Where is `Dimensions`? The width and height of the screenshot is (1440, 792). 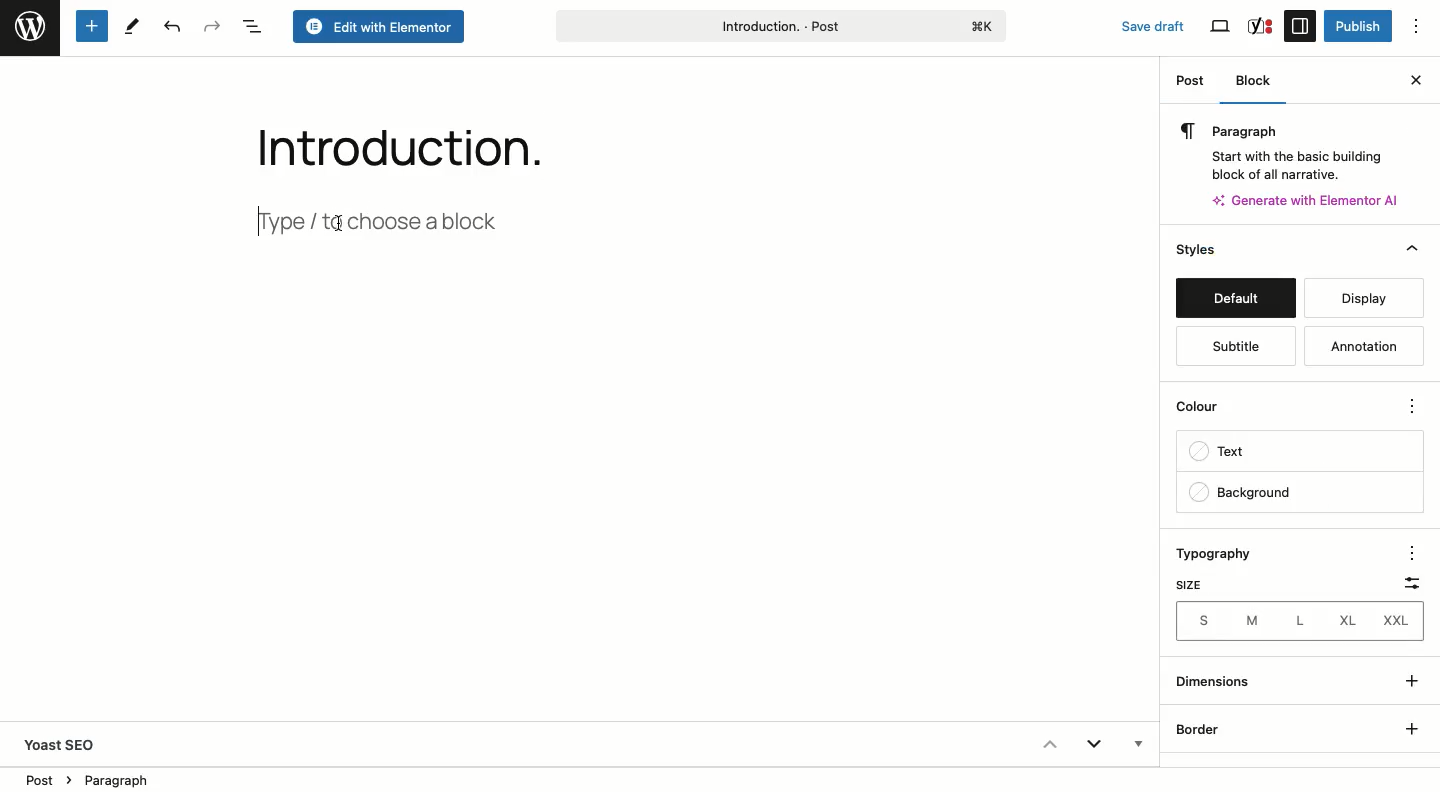 Dimensions is located at coordinates (1218, 681).